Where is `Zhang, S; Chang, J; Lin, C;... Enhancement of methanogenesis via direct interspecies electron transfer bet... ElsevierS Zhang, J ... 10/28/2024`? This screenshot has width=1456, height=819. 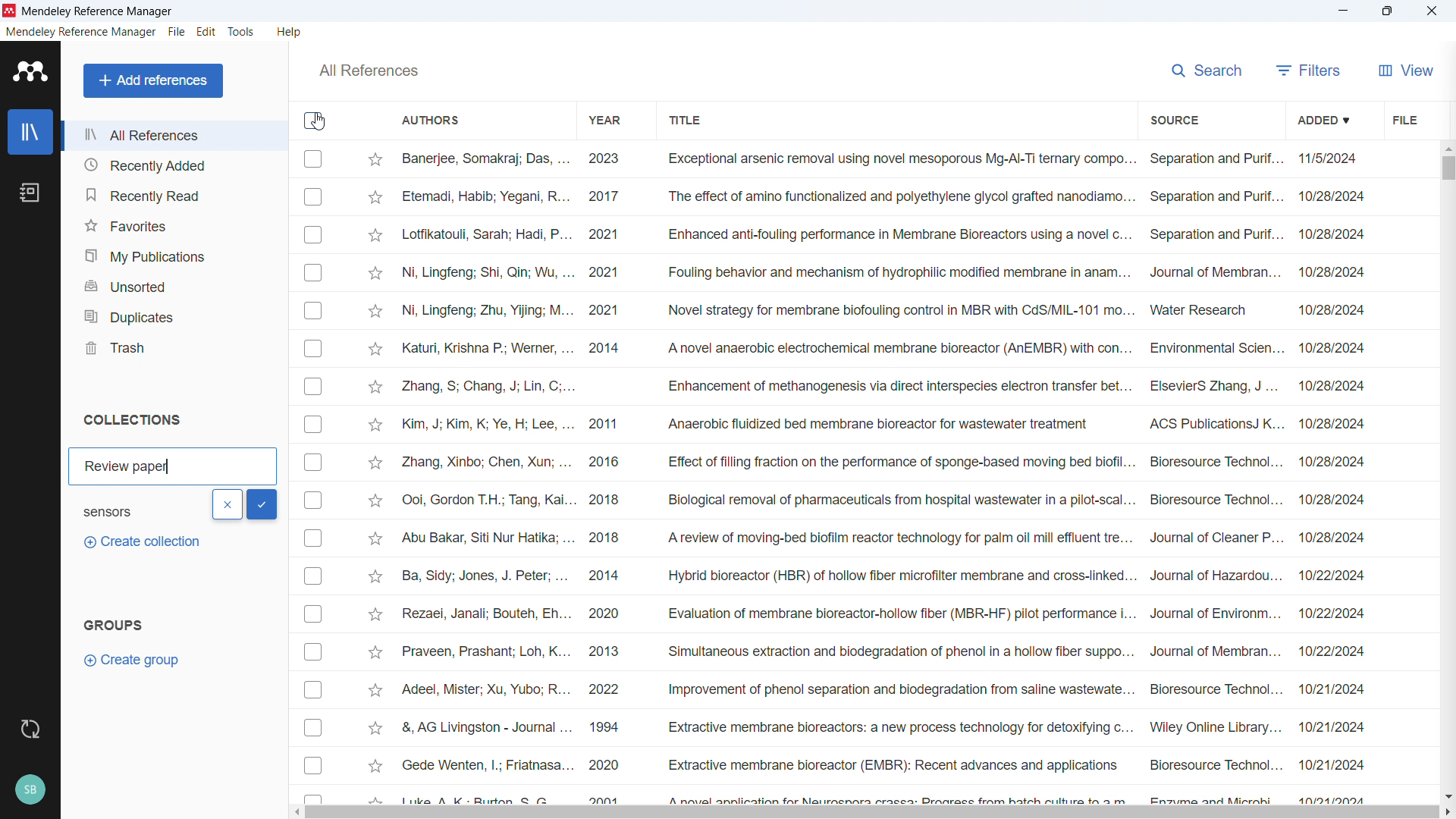
Zhang, S; Chang, J; Lin, C;... Enhancement of methanogenesis via direct interspecies electron transfer bet... ElsevierS Zhang, J ... 10/28/2024 is located at coordinates (884, 387).